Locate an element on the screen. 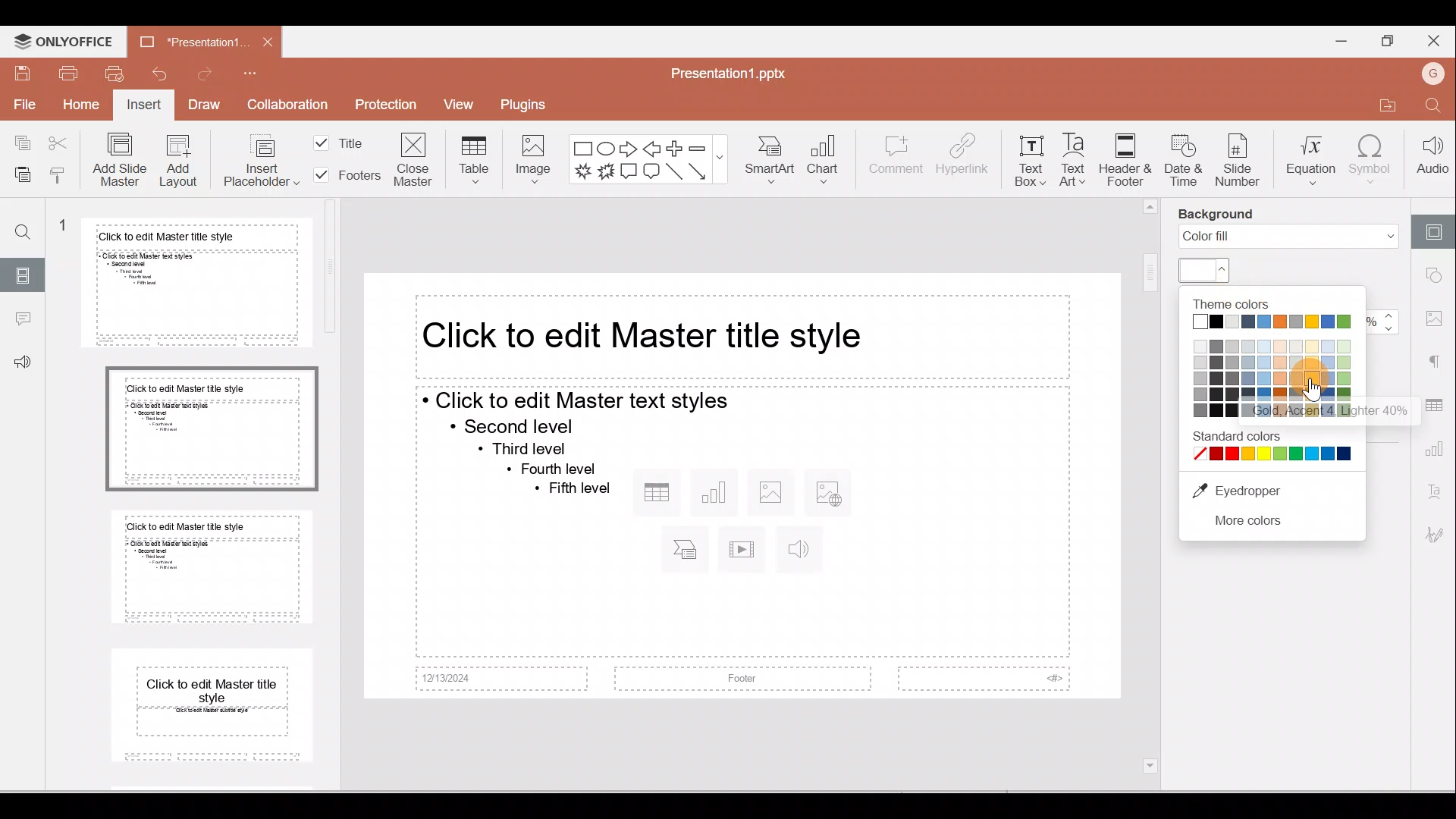  Master slide 3 is located at coordinates (212, 564).